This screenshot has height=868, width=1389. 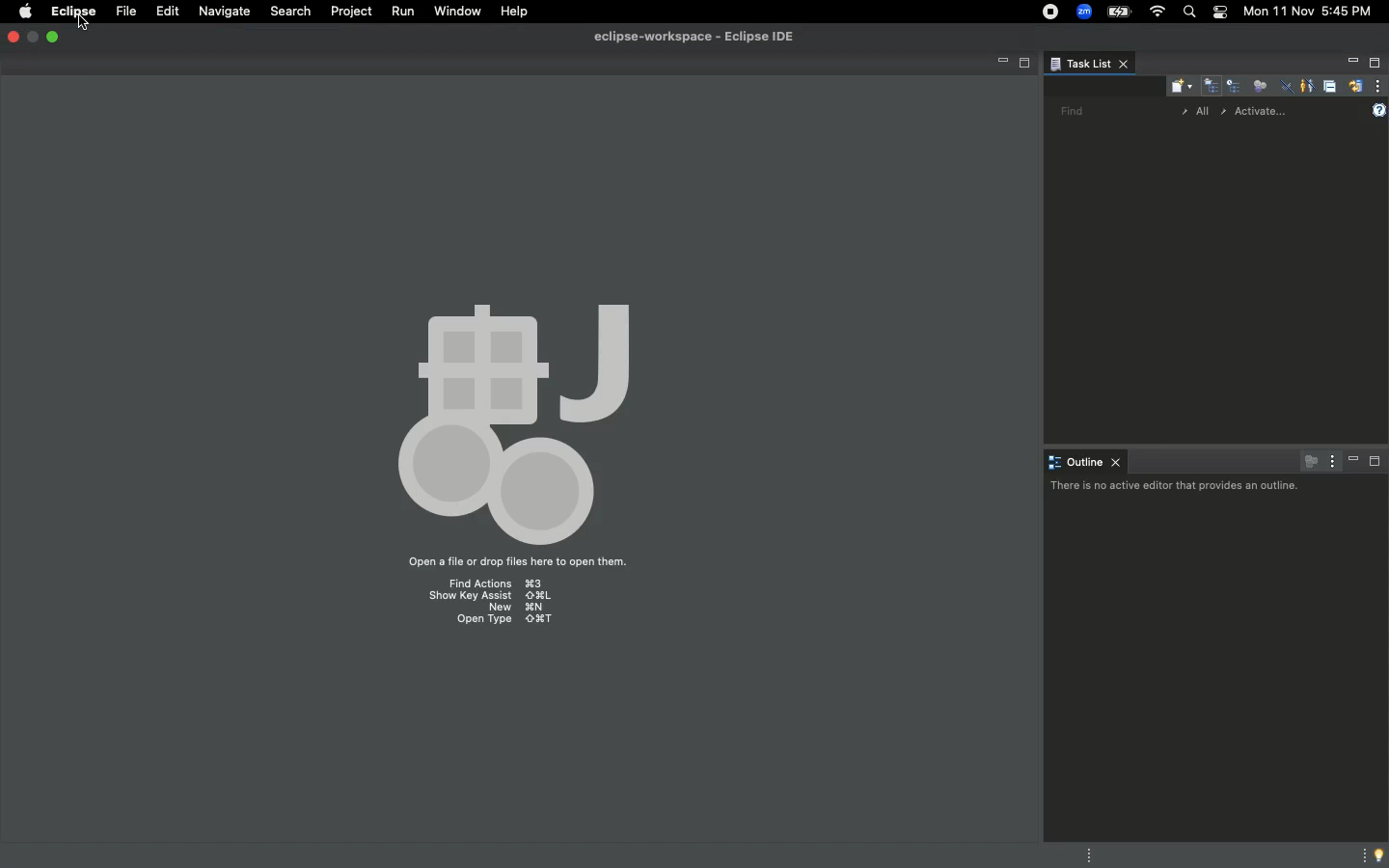 What do you see at coordinates (1067, 111) in the screenshot?
I see `Find` at bounding box center [1067, 111].